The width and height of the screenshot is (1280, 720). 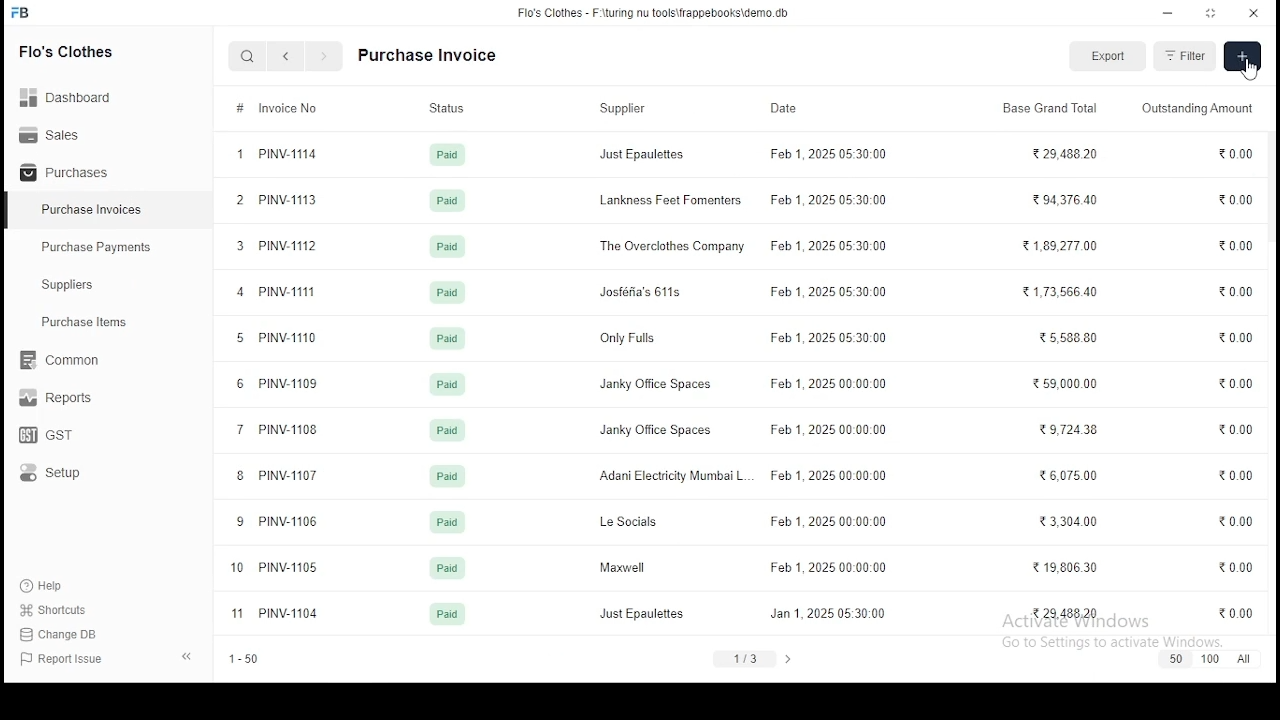 What do you see at coordinates (826, 339) in the screenshot?
I see `feb 1, 2025 05:30:00` at bounding box center [826, 339].